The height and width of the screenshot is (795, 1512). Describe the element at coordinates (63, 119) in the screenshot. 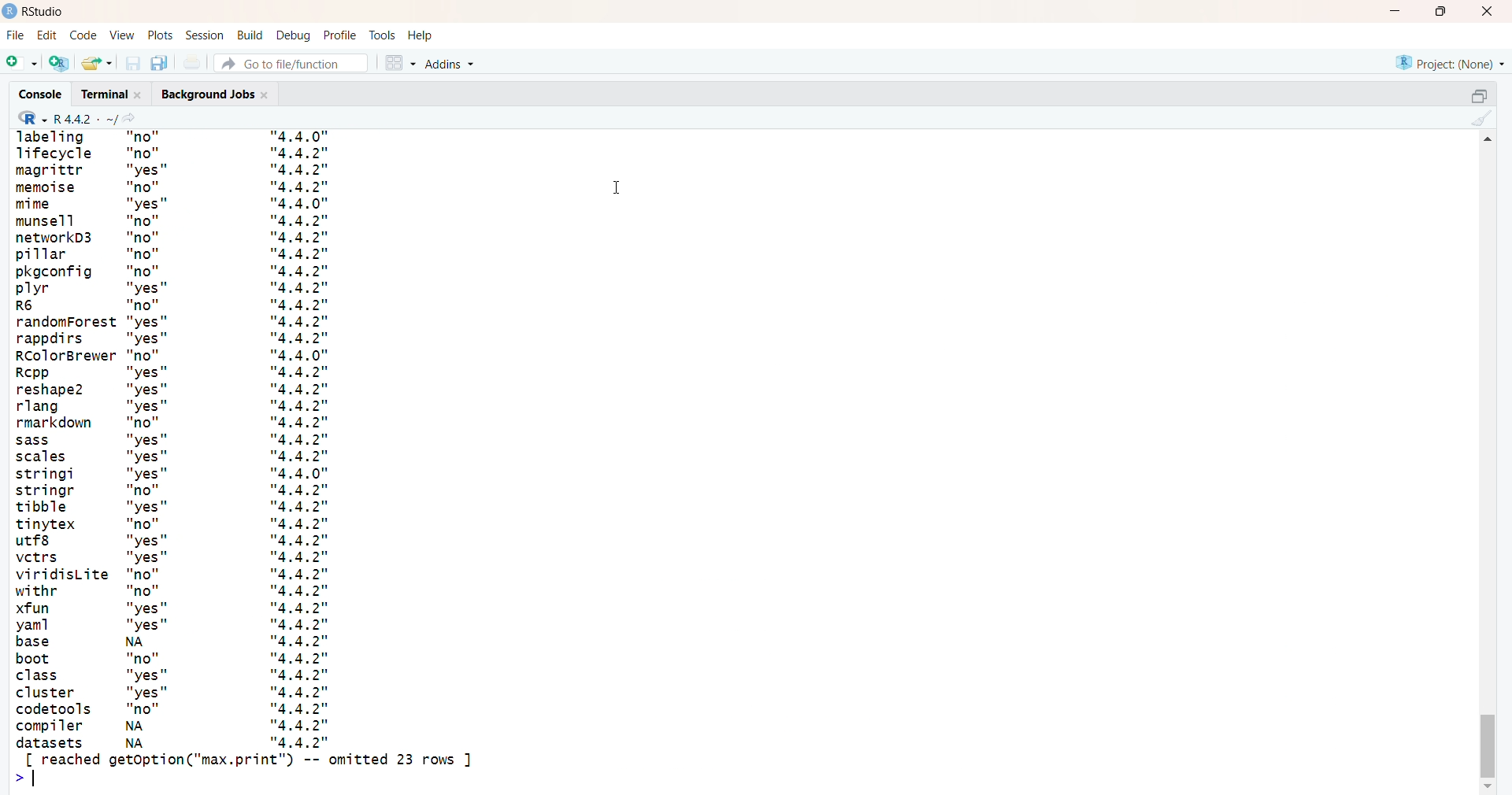

I see `R 4.4.2` at that location.